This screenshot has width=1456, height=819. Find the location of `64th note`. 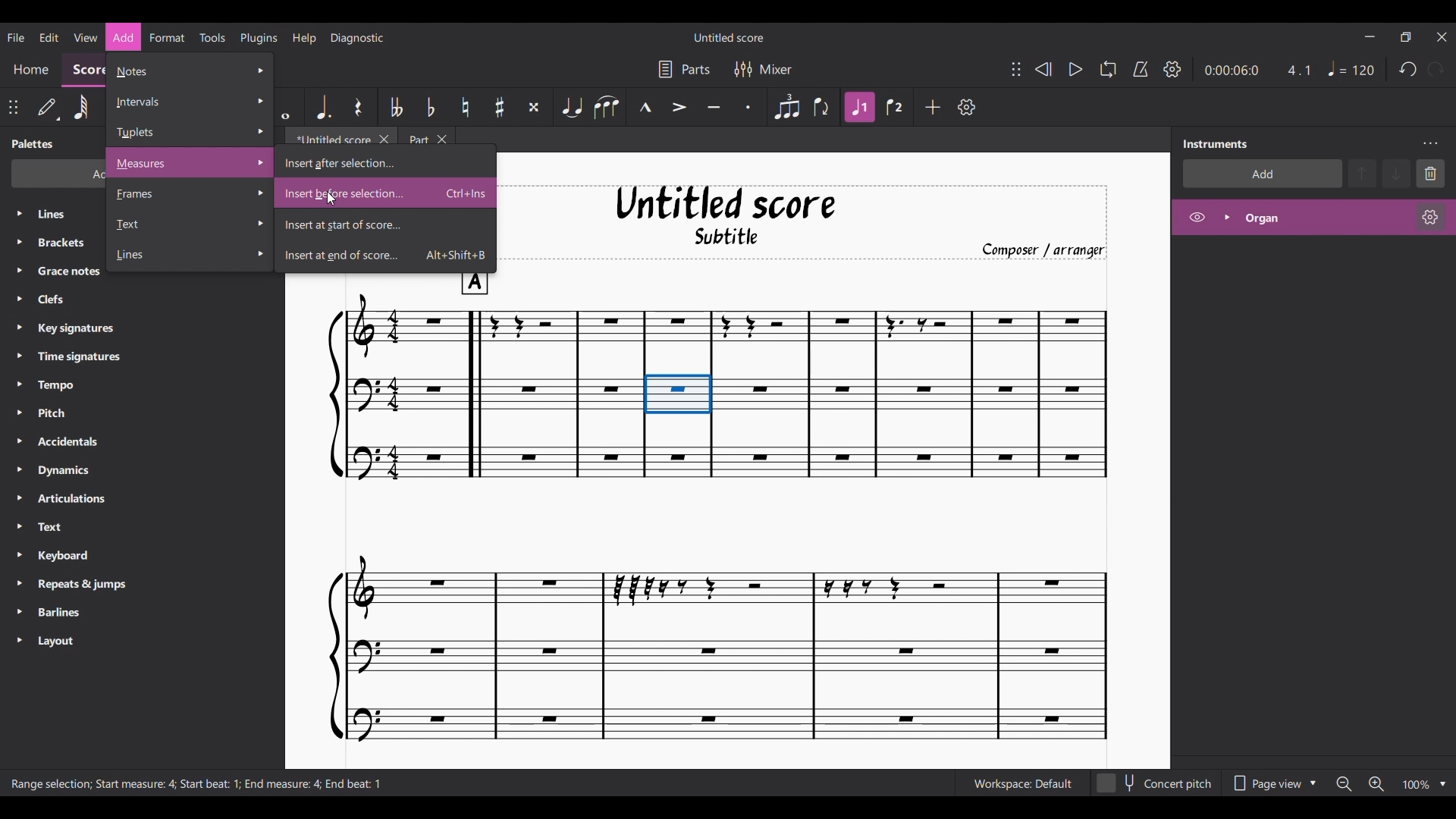

64th note is located at coordinates (81, 108).